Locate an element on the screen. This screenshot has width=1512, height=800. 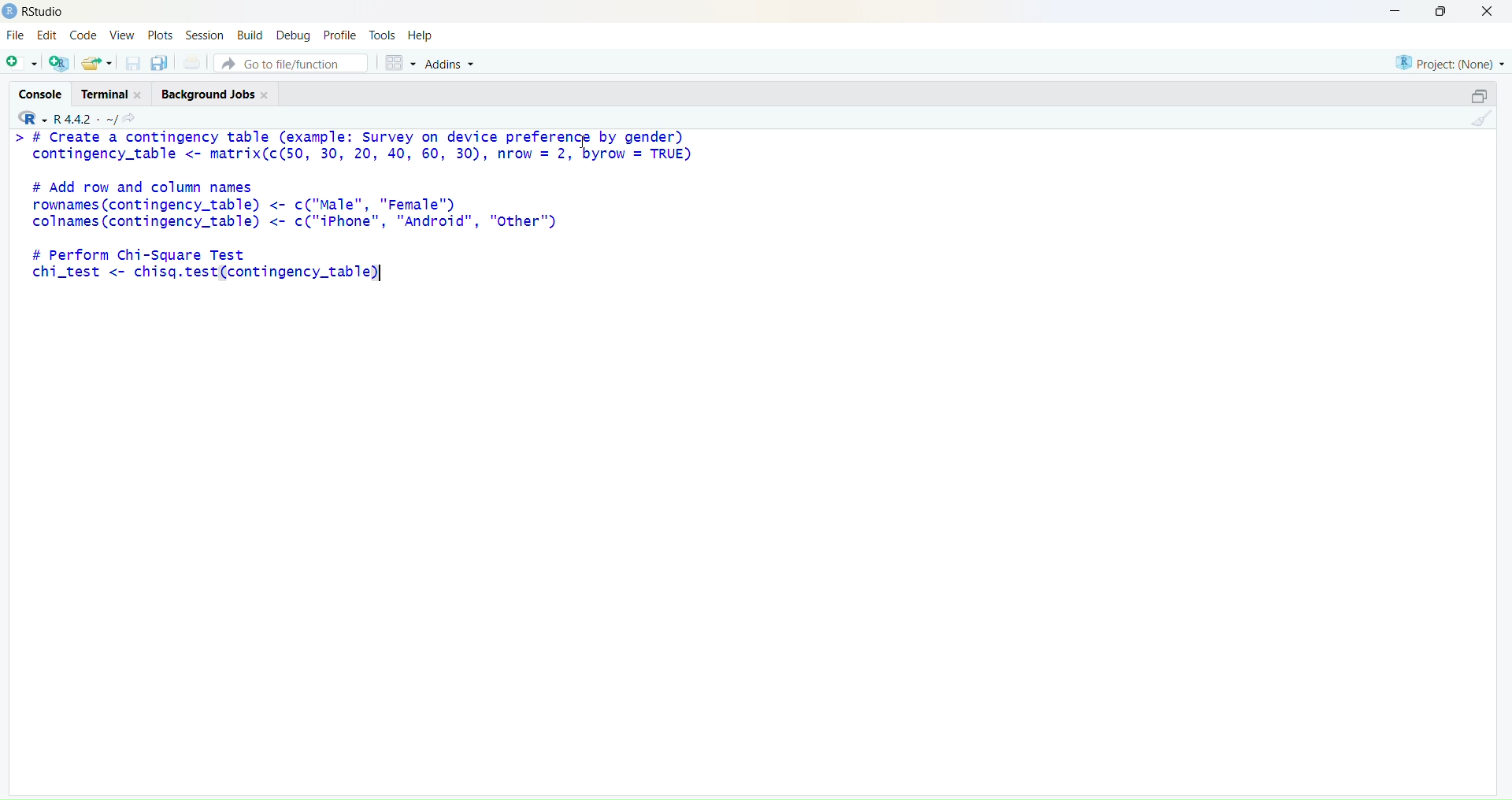
console is located at coordinates (42, 94).